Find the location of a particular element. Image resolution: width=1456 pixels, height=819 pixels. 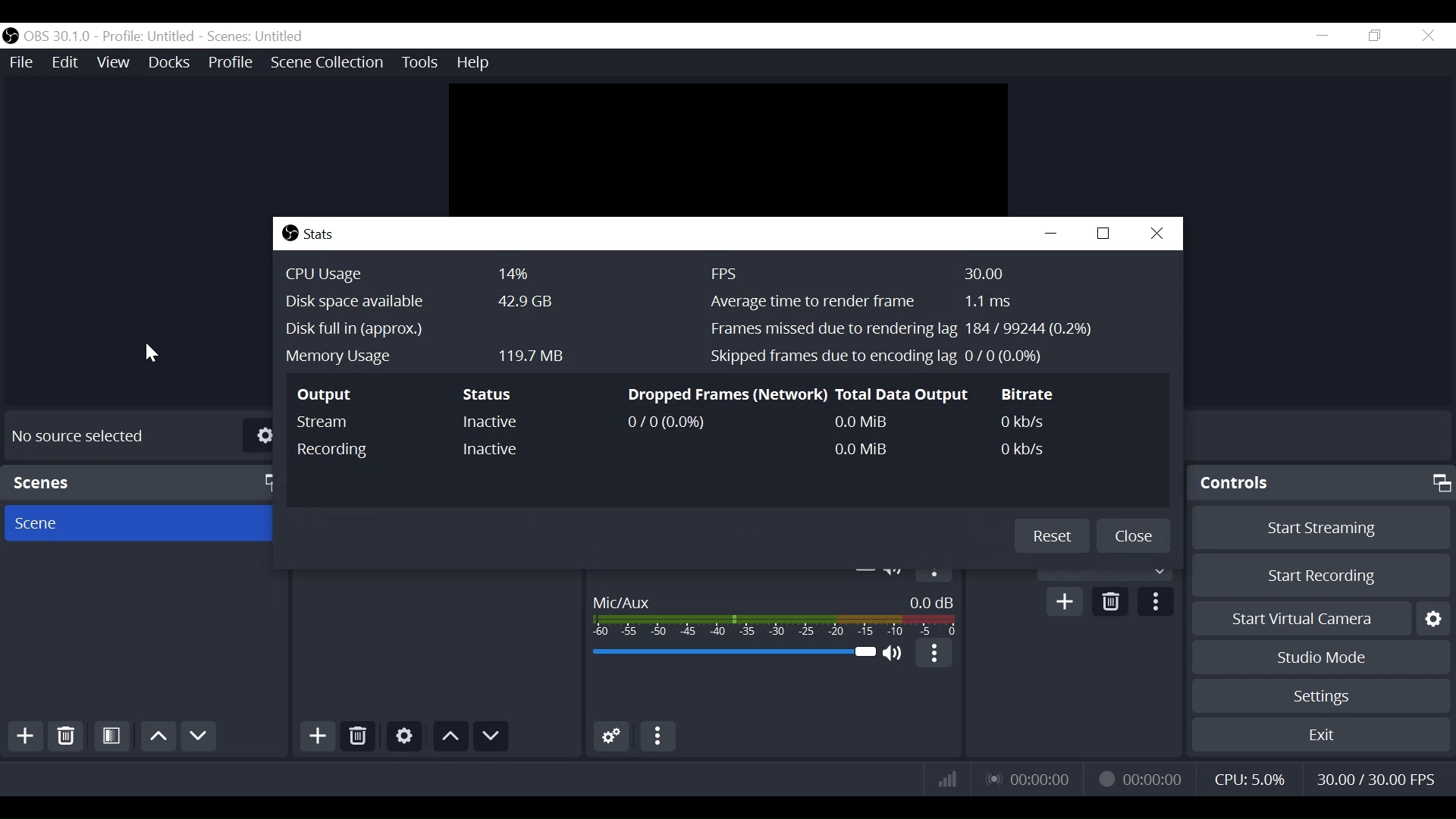

move down is located at coordinates (492, 736).